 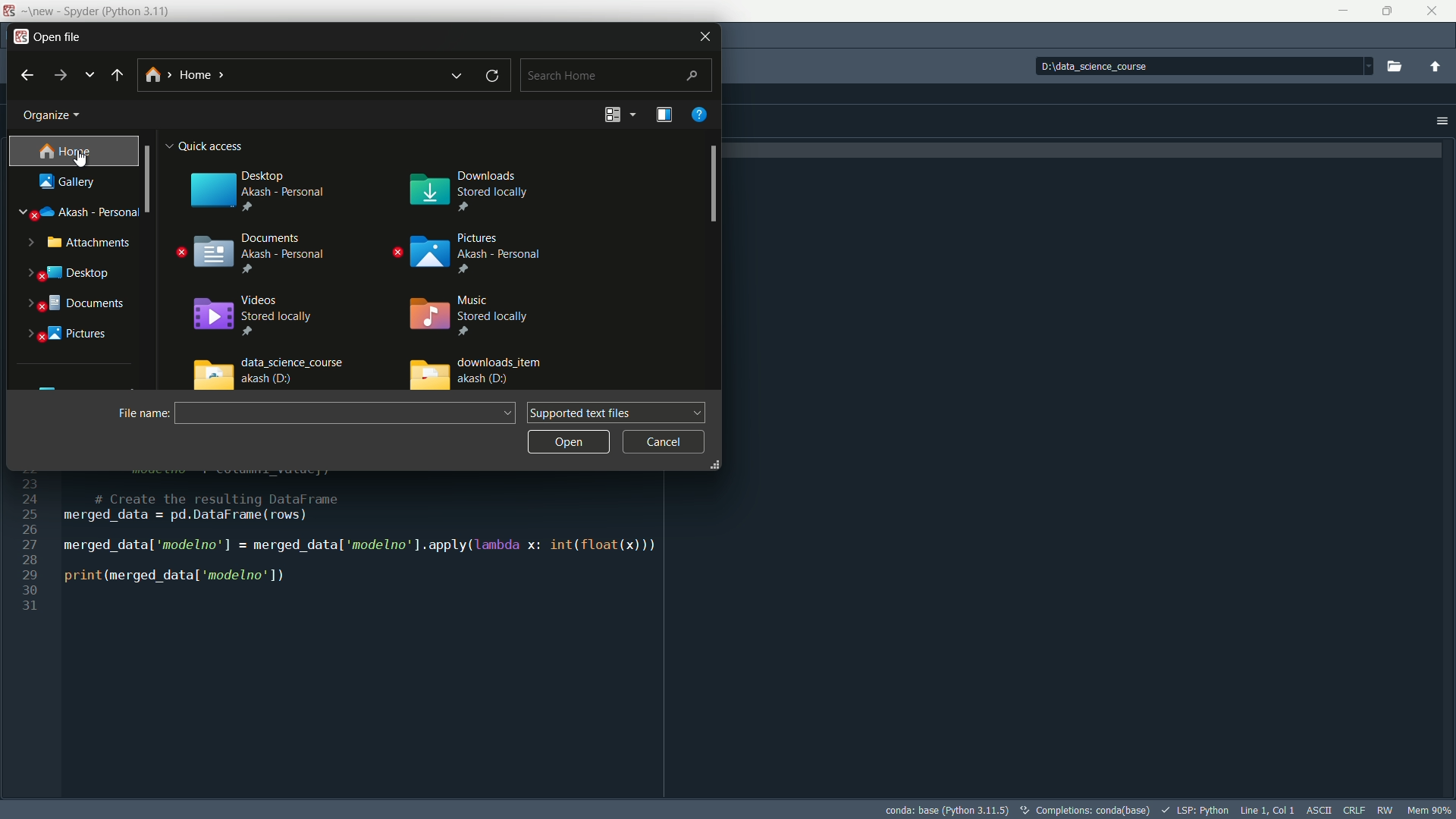 What do you see at coordinates (259, 77) in the screenshot?
I see `directory path` at bounding box center [259, 77].